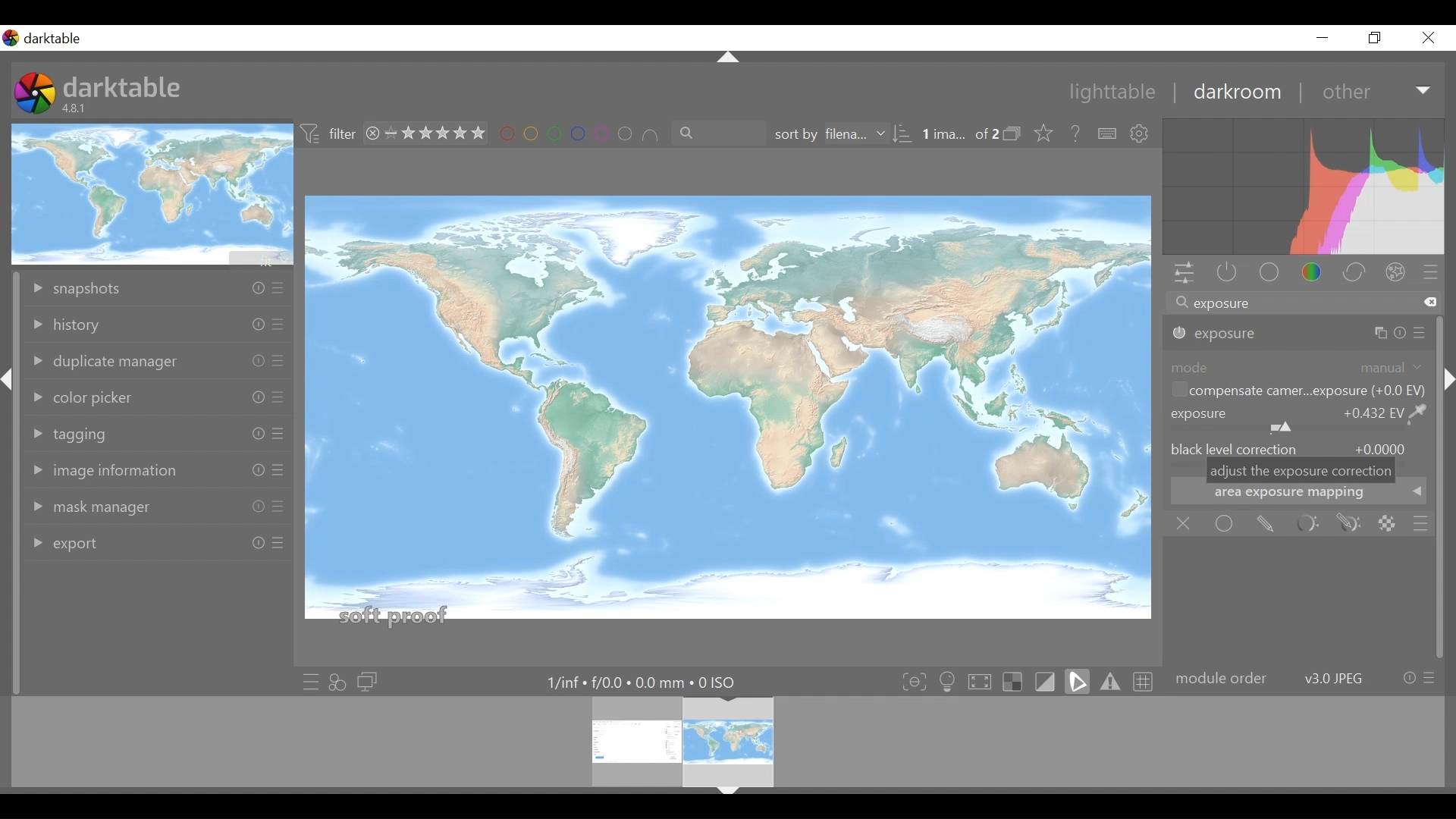 Image resolution: width=1456 pixels, height=819 pixels. Describe the element at coordinates (1111, 681) in the screenshot. I see `toggle gamut checking` at that location.